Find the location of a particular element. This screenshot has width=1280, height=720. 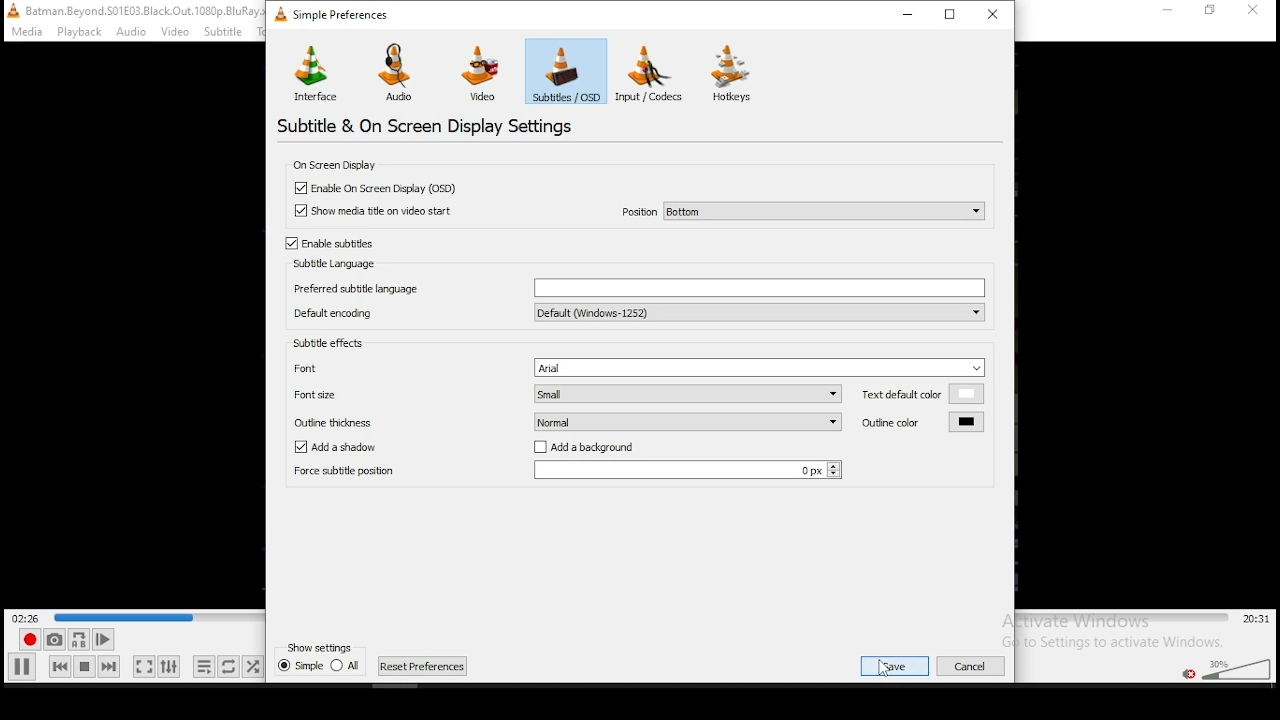

 is located at coordinates (23, 32).